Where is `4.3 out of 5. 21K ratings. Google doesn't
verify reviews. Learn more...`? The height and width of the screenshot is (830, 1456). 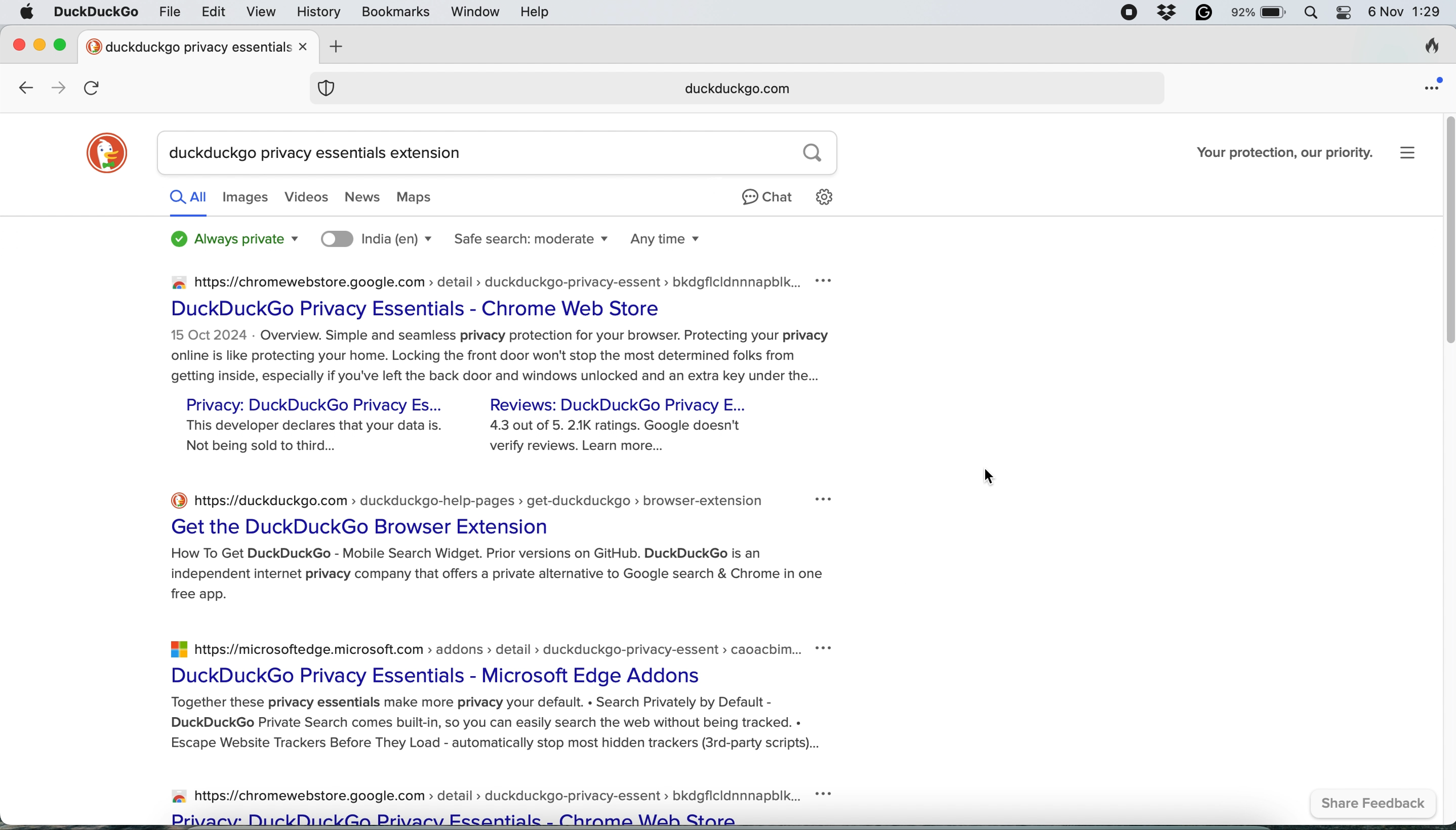
4.3 out of 5. 21K ratings. Google doesn't
verify reviews. Learn more... is located at coordinates (618, 436).